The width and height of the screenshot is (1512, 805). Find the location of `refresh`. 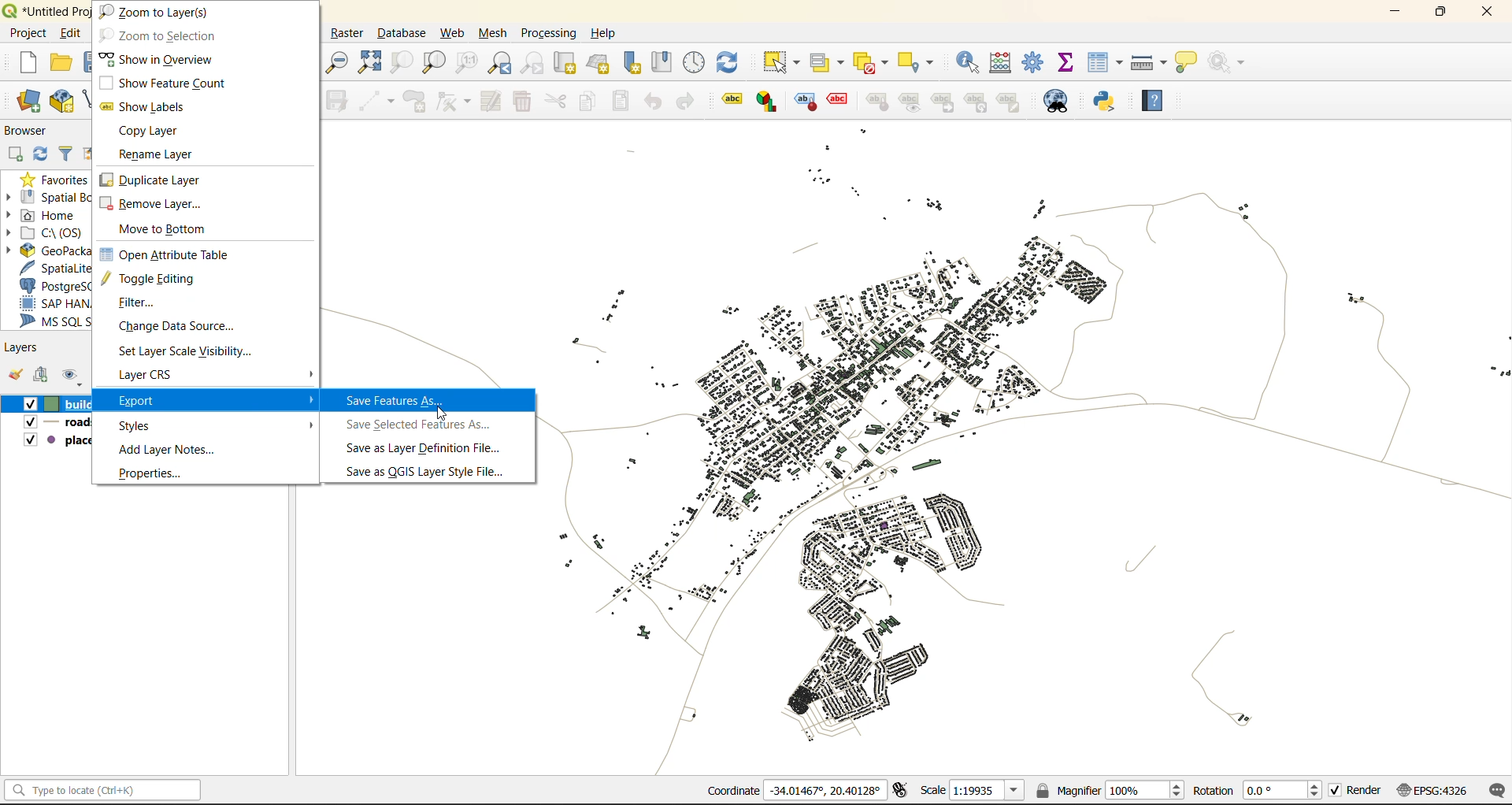

refresh is located at coordinates (731, 61).